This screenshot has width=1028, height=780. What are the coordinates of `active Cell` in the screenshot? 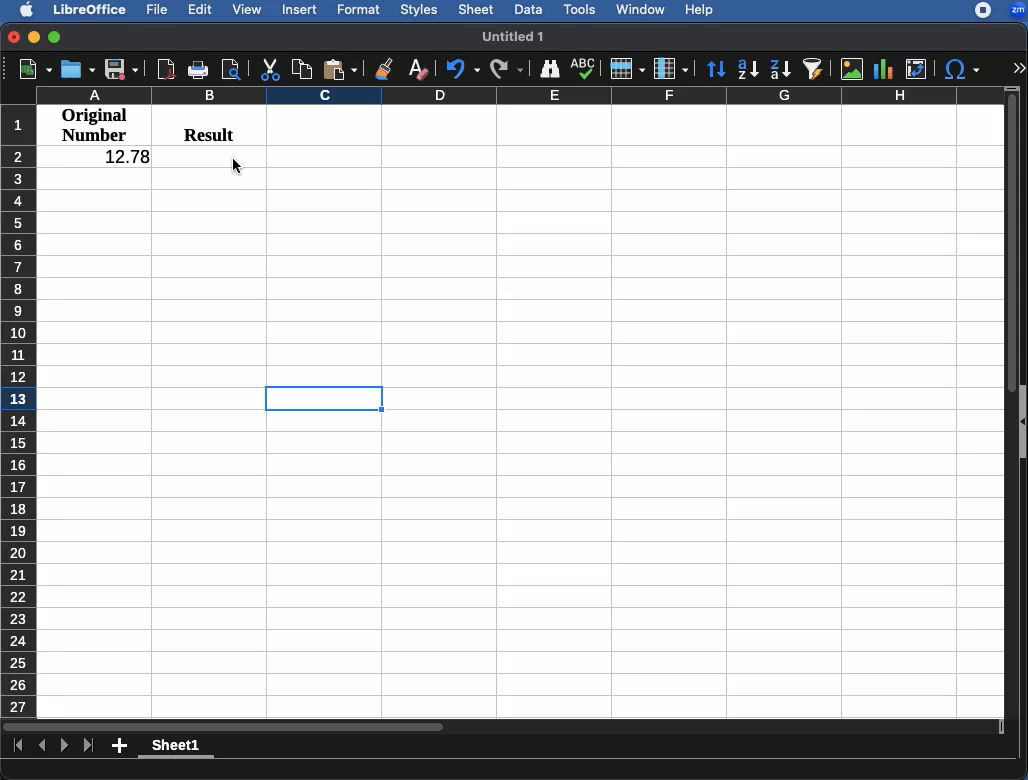 It's located at (324, 398).